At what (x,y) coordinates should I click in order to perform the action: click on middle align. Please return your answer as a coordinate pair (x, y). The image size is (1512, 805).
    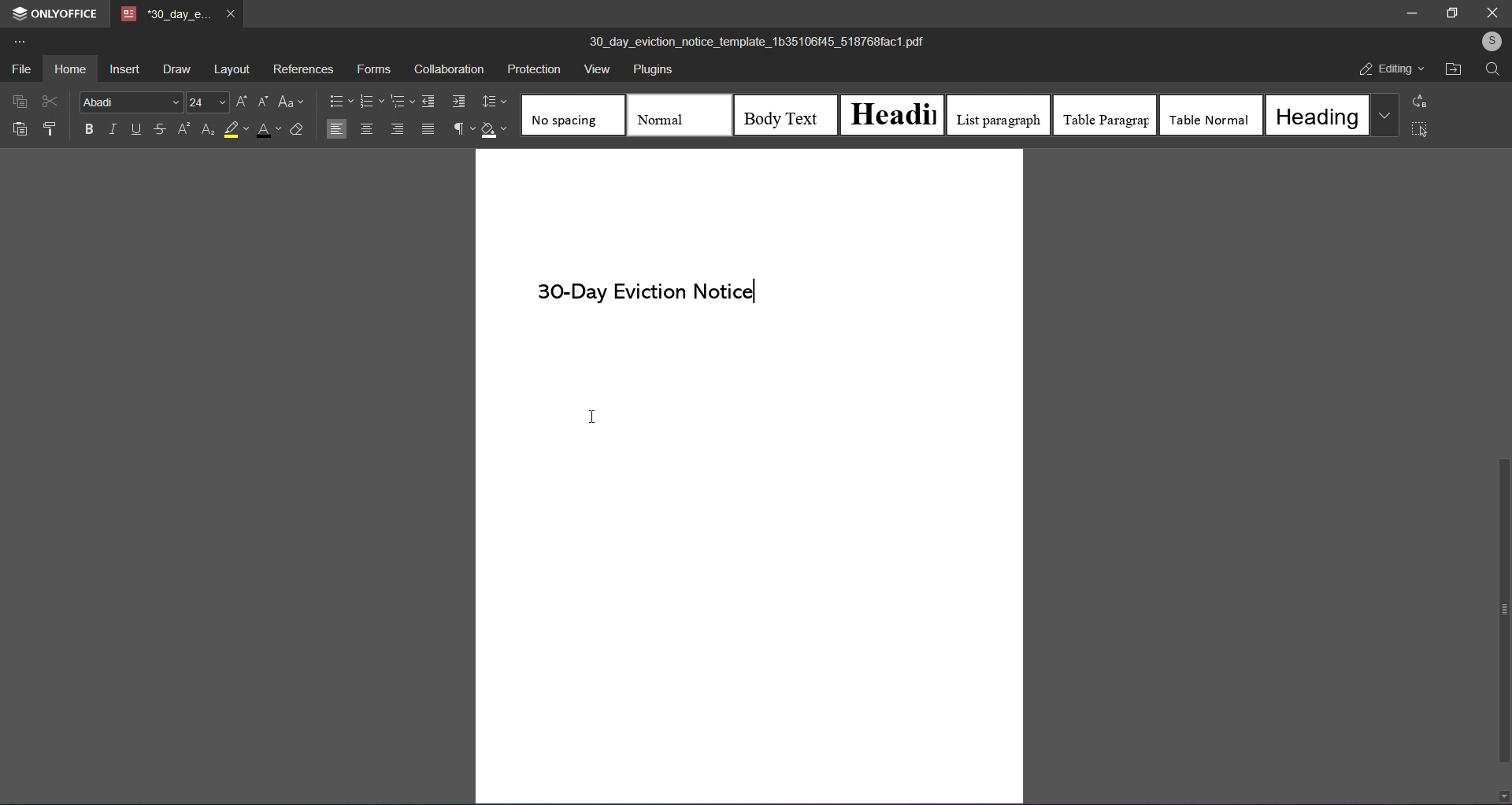
    Looking at the image, I should click on (367, 129).